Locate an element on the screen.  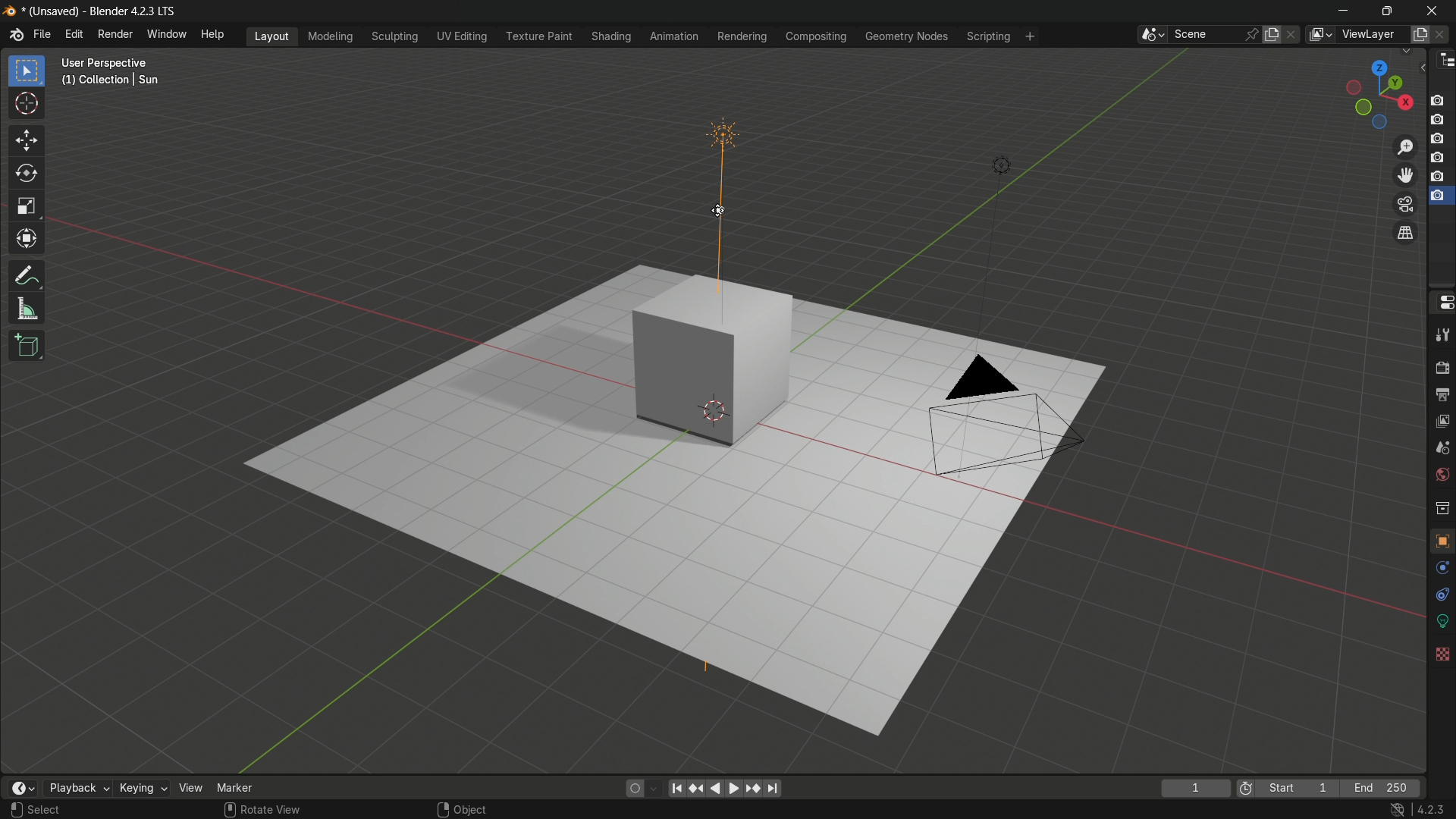
remove view layer is located at coordinates (1444, 34).